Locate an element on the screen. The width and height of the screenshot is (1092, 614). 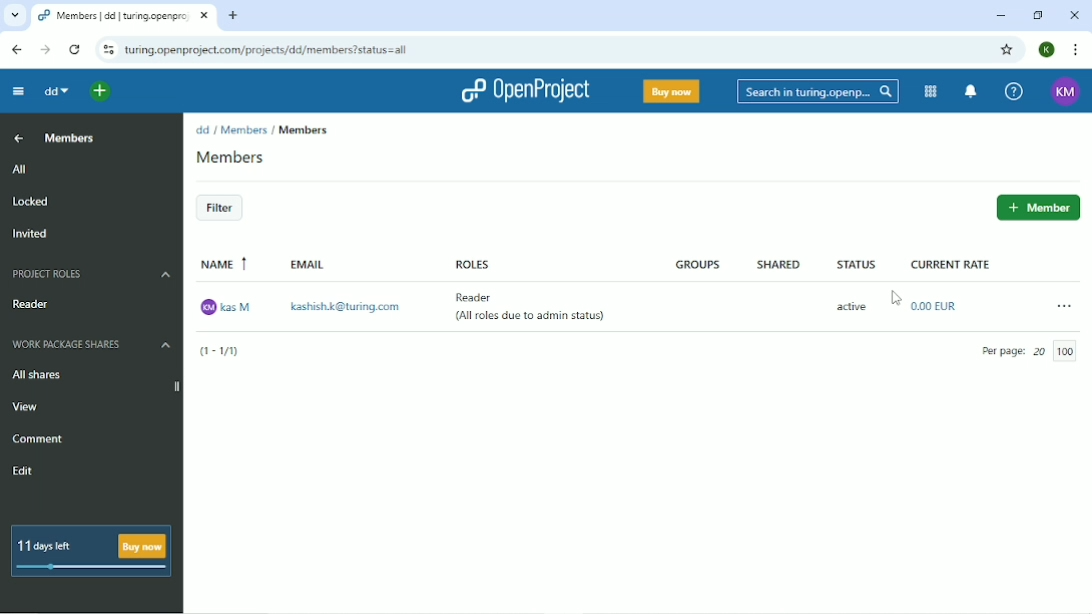
Buy now is located at coordinates (670, 91).